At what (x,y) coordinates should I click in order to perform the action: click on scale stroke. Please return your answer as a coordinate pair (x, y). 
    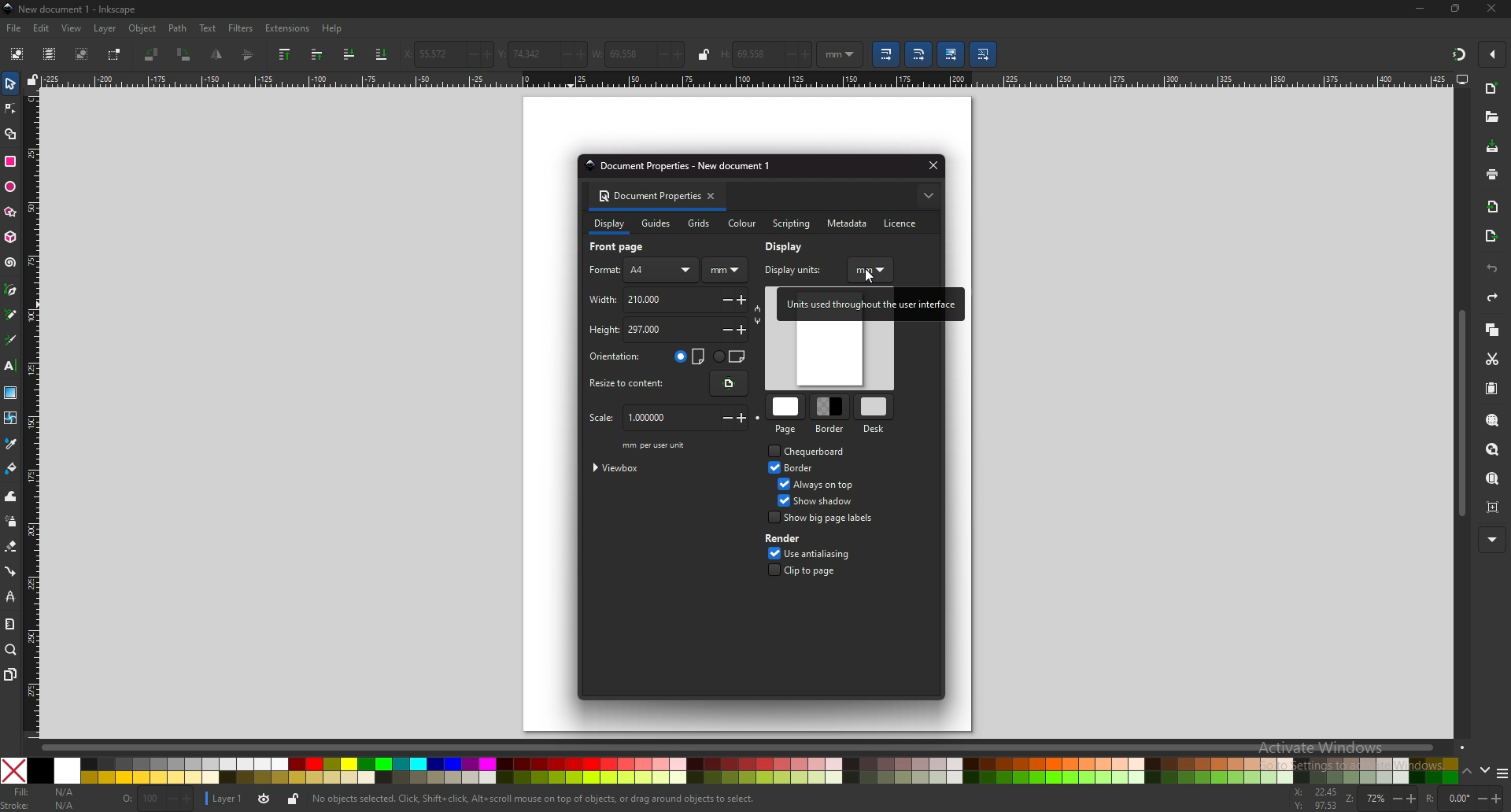
    Looking at the image, I should click on (888, 54).